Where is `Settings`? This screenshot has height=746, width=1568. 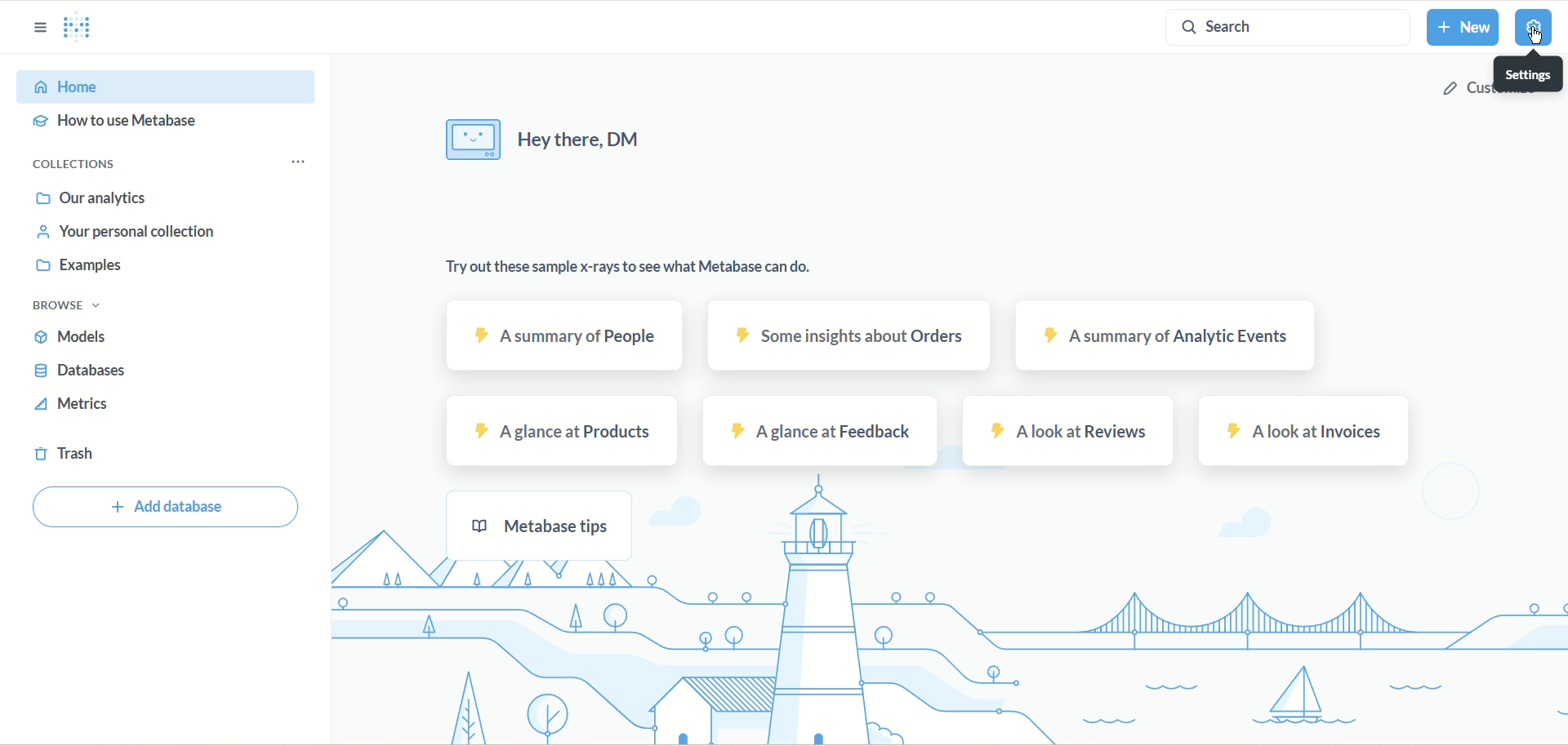 Settings is located at coordinates (1527, 74).